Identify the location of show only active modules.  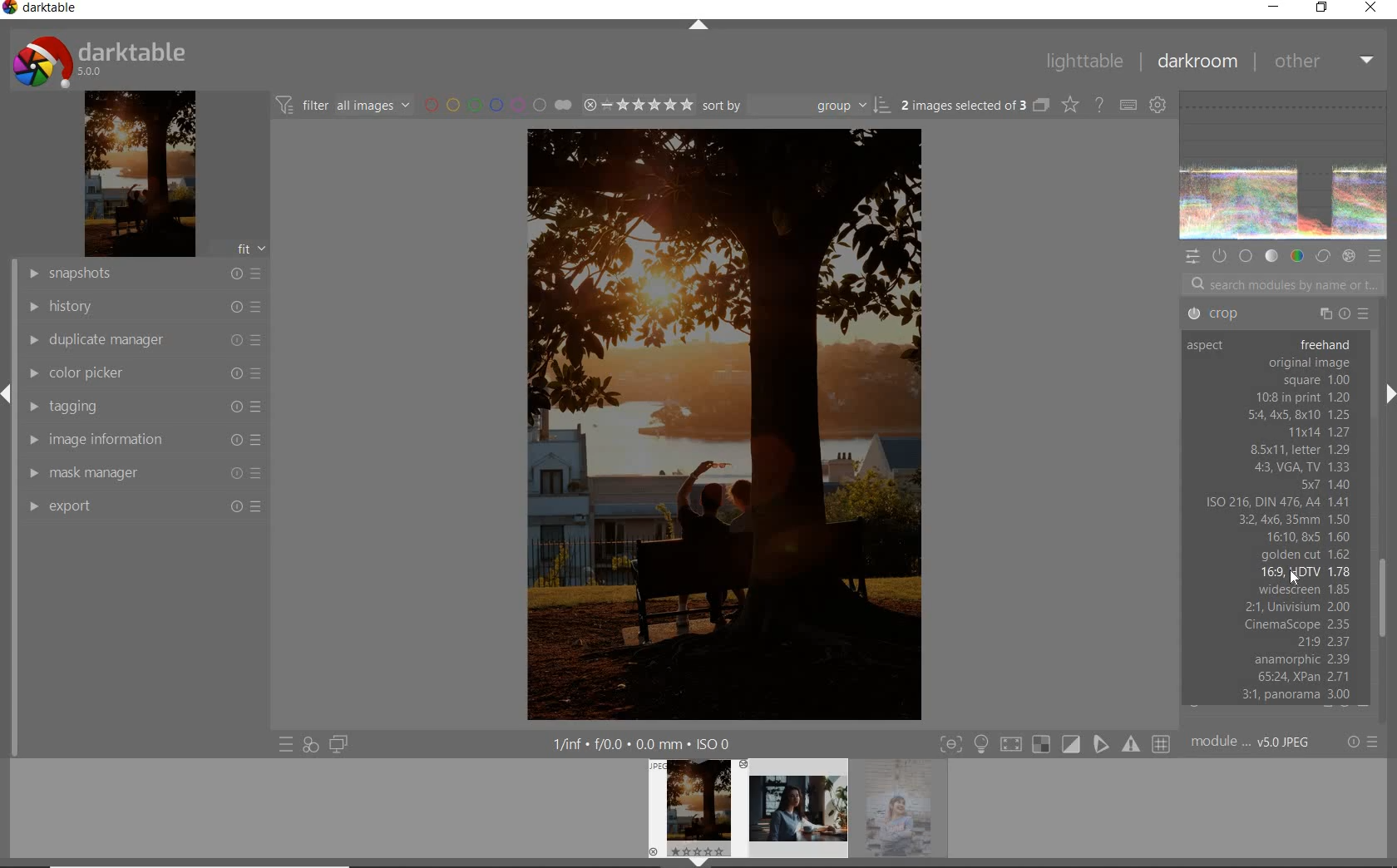
(1221, 255).